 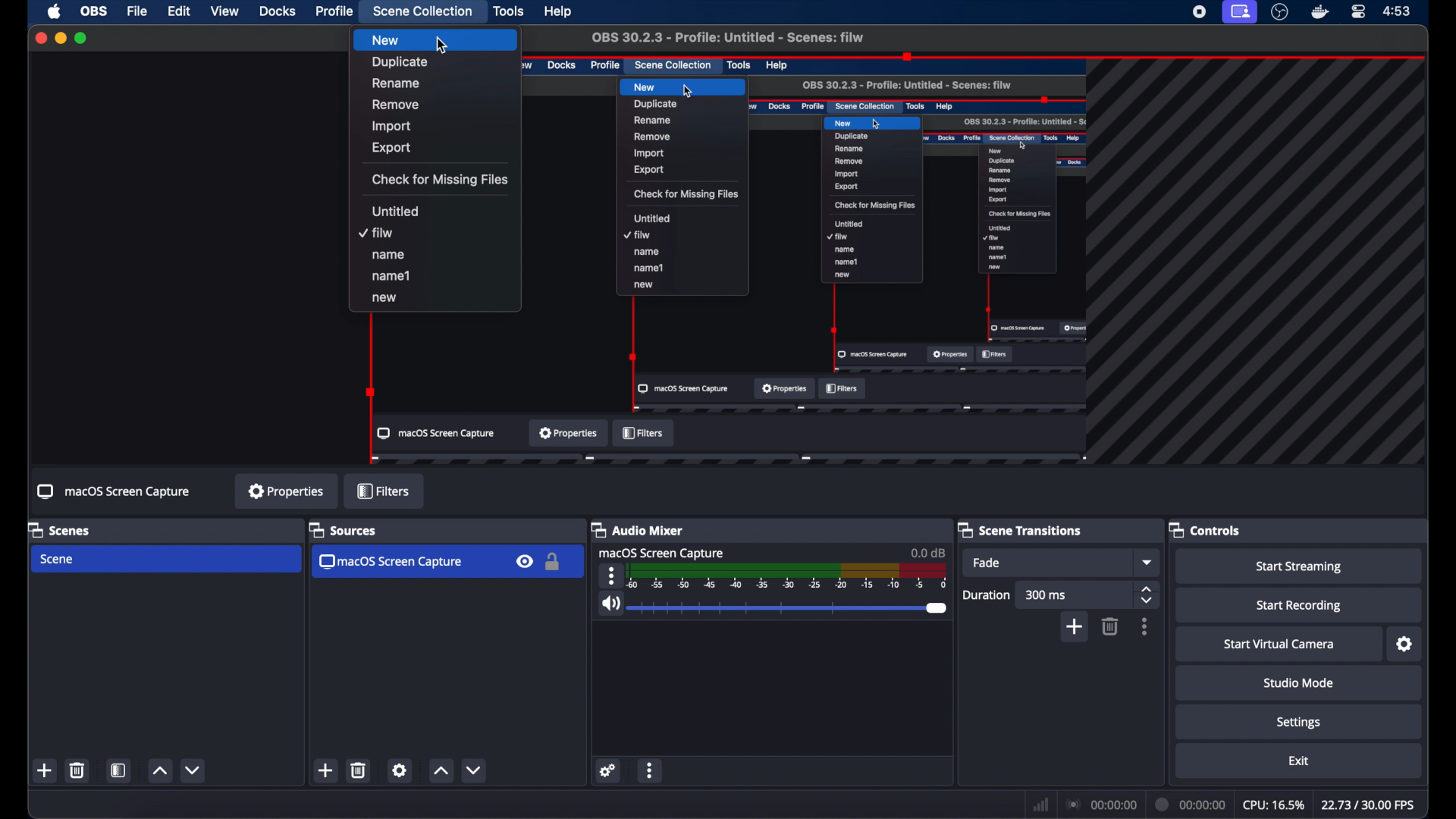 What do you see at coordinates (1281, 642) in the screenshot?
I see `start virtual camera` at bounding box center [1281, 642].